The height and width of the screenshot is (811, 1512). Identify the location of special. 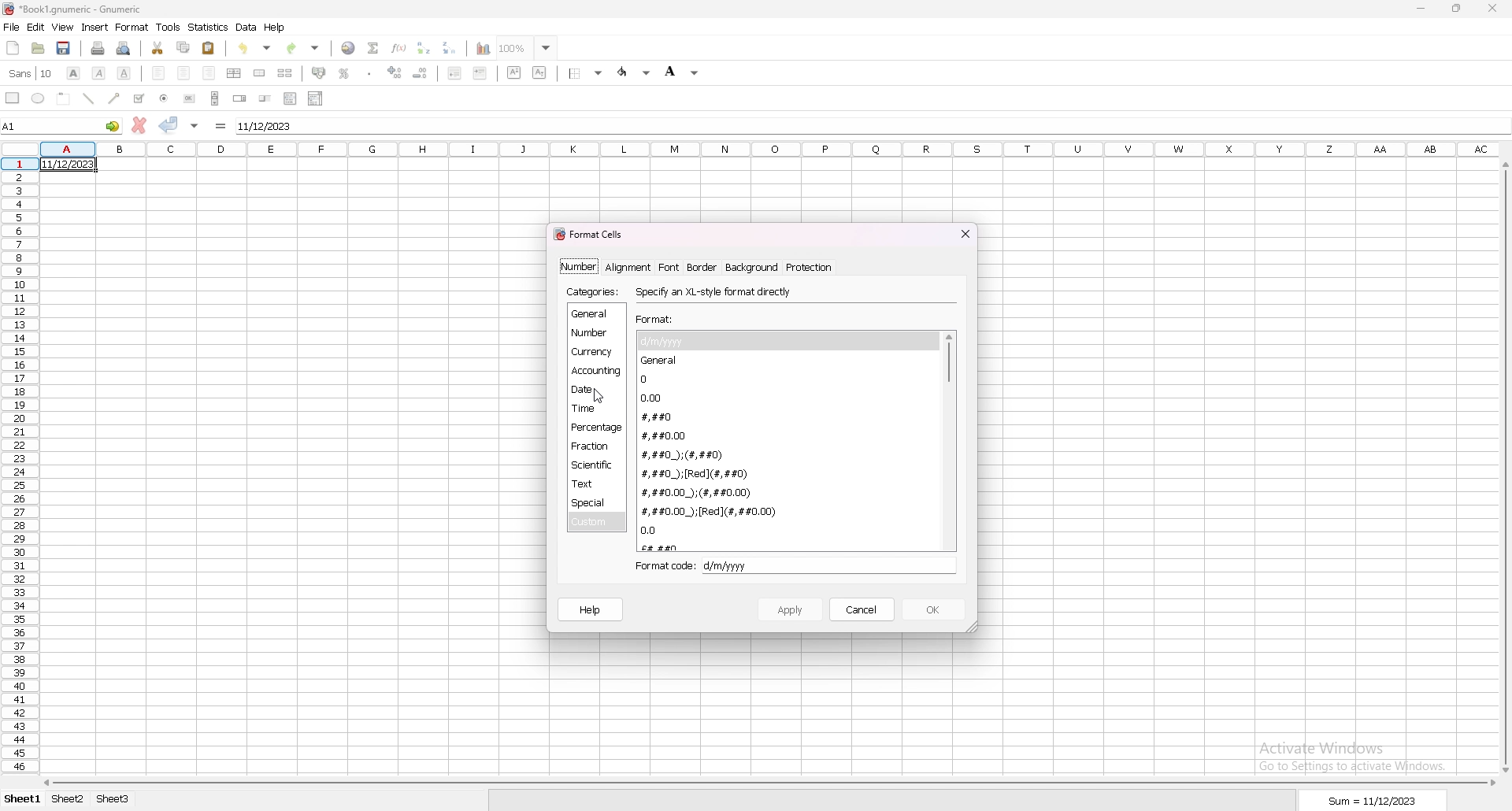
(595, 503).